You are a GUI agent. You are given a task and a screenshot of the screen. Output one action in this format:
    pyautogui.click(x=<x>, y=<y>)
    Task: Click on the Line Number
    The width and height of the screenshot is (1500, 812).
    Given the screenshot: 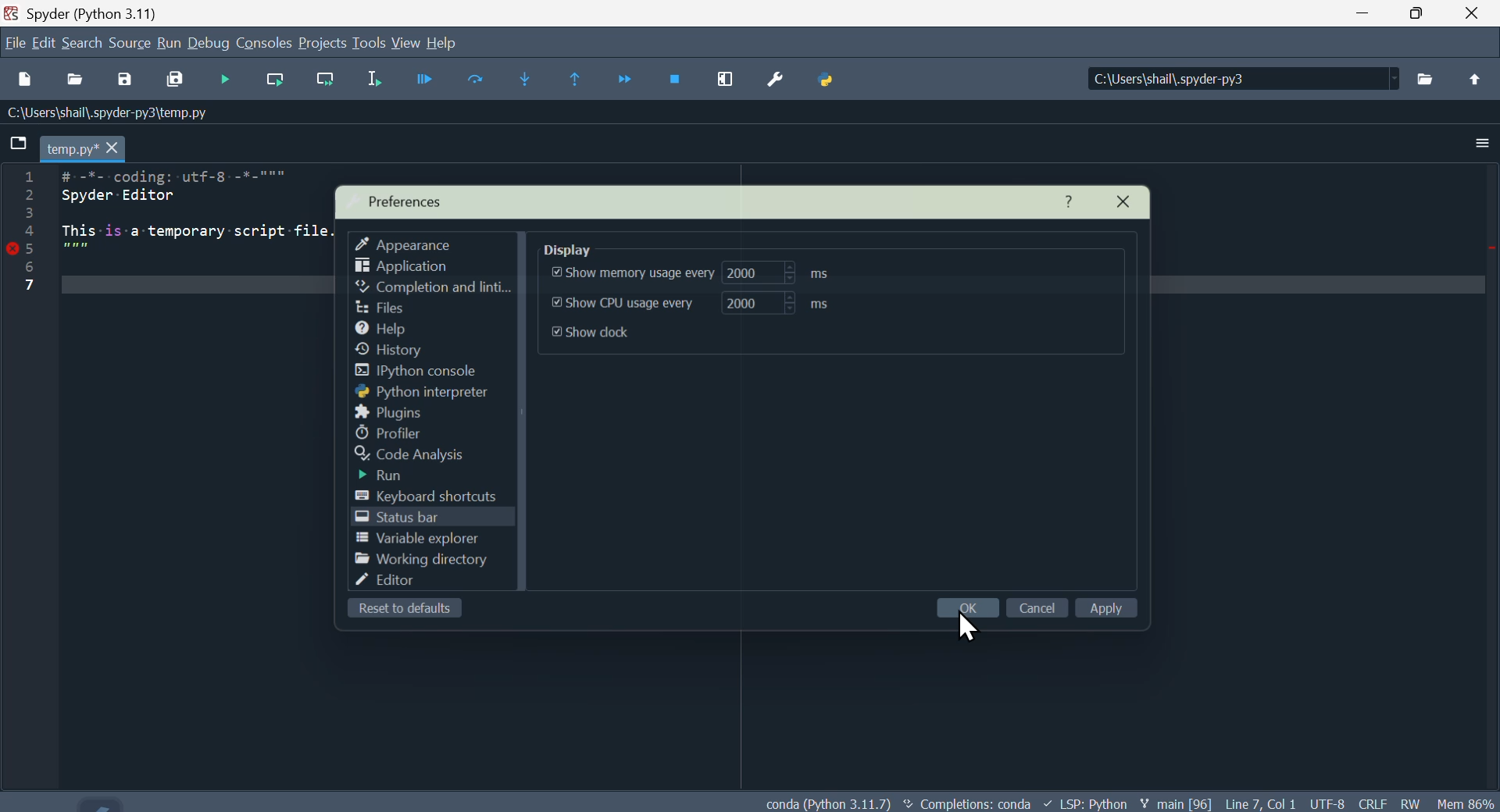 What is the action you would take?
    pyautogui.click(x=27, y=238)
    